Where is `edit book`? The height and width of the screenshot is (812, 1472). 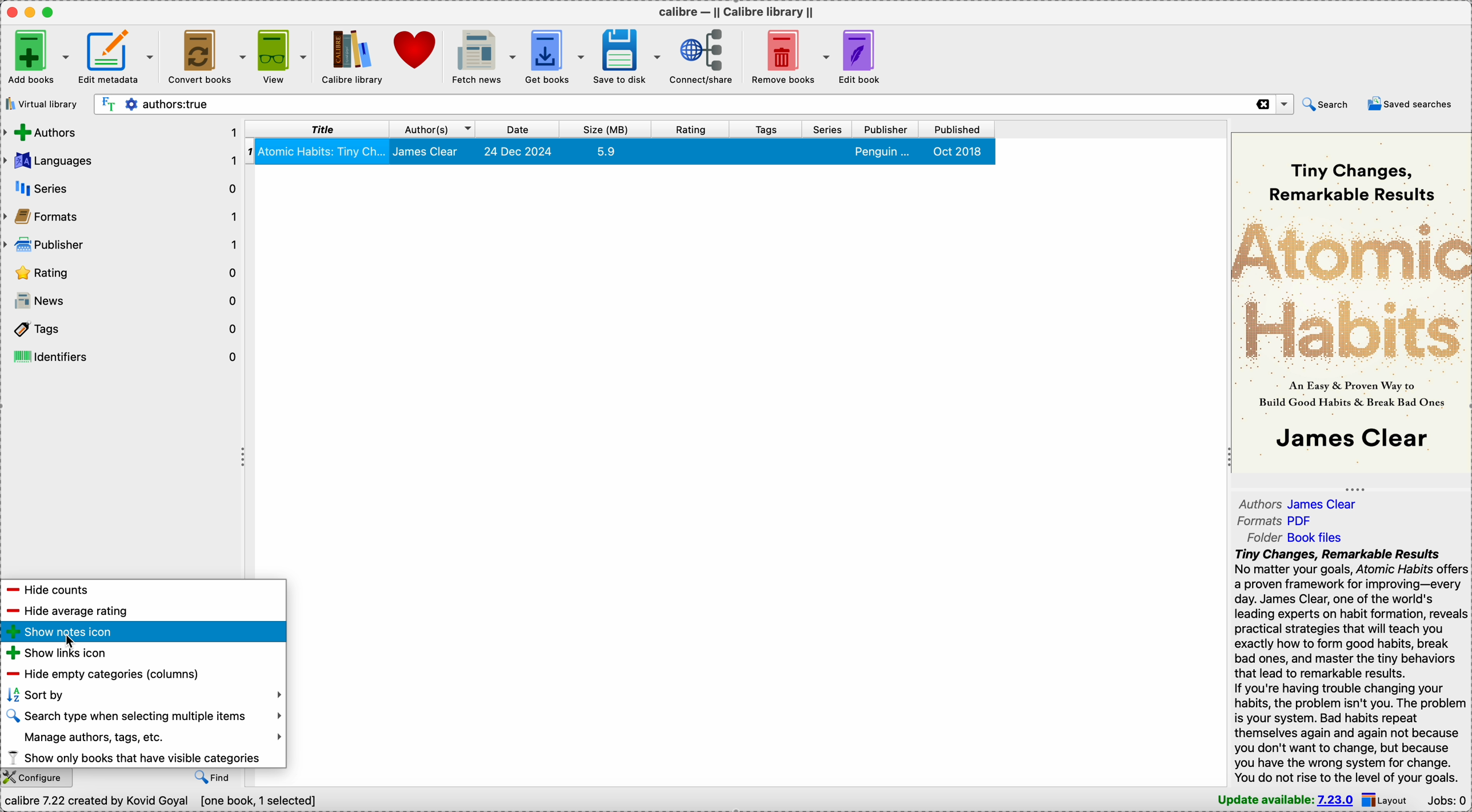 edit book is located at coordinates (862, 57).